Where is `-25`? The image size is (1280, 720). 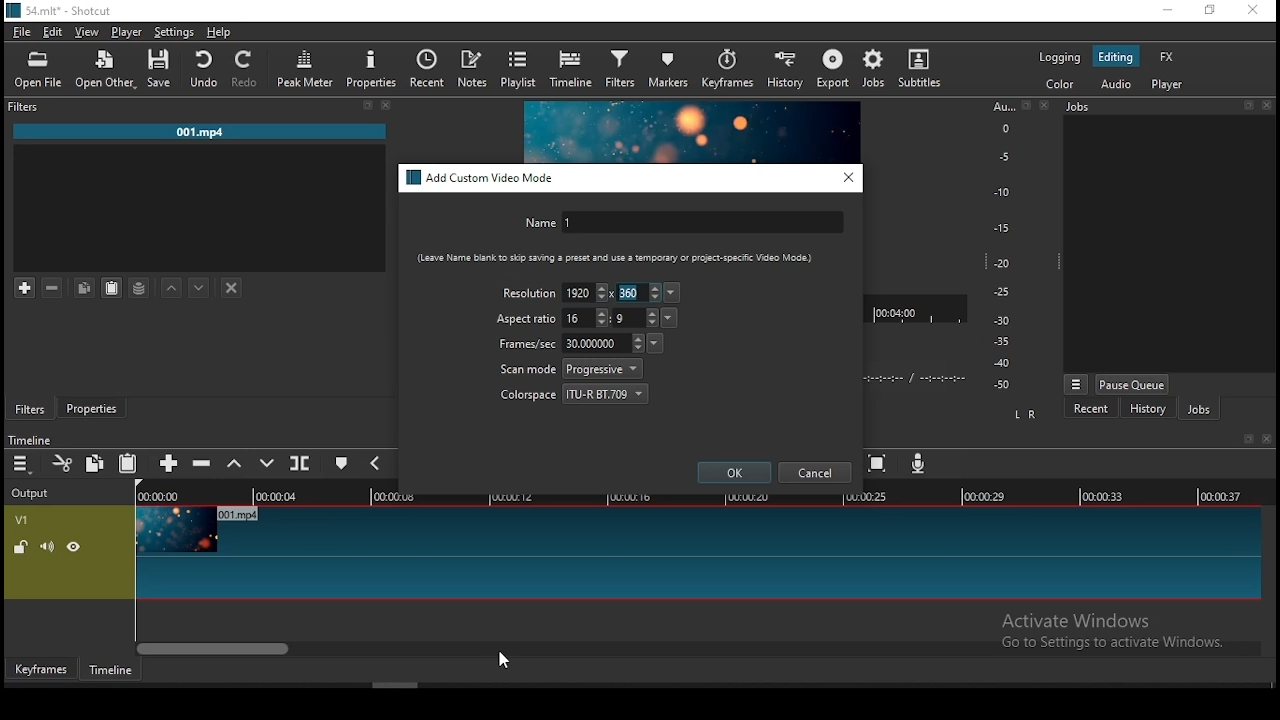 -25 is located at coordinates (1002, 293).